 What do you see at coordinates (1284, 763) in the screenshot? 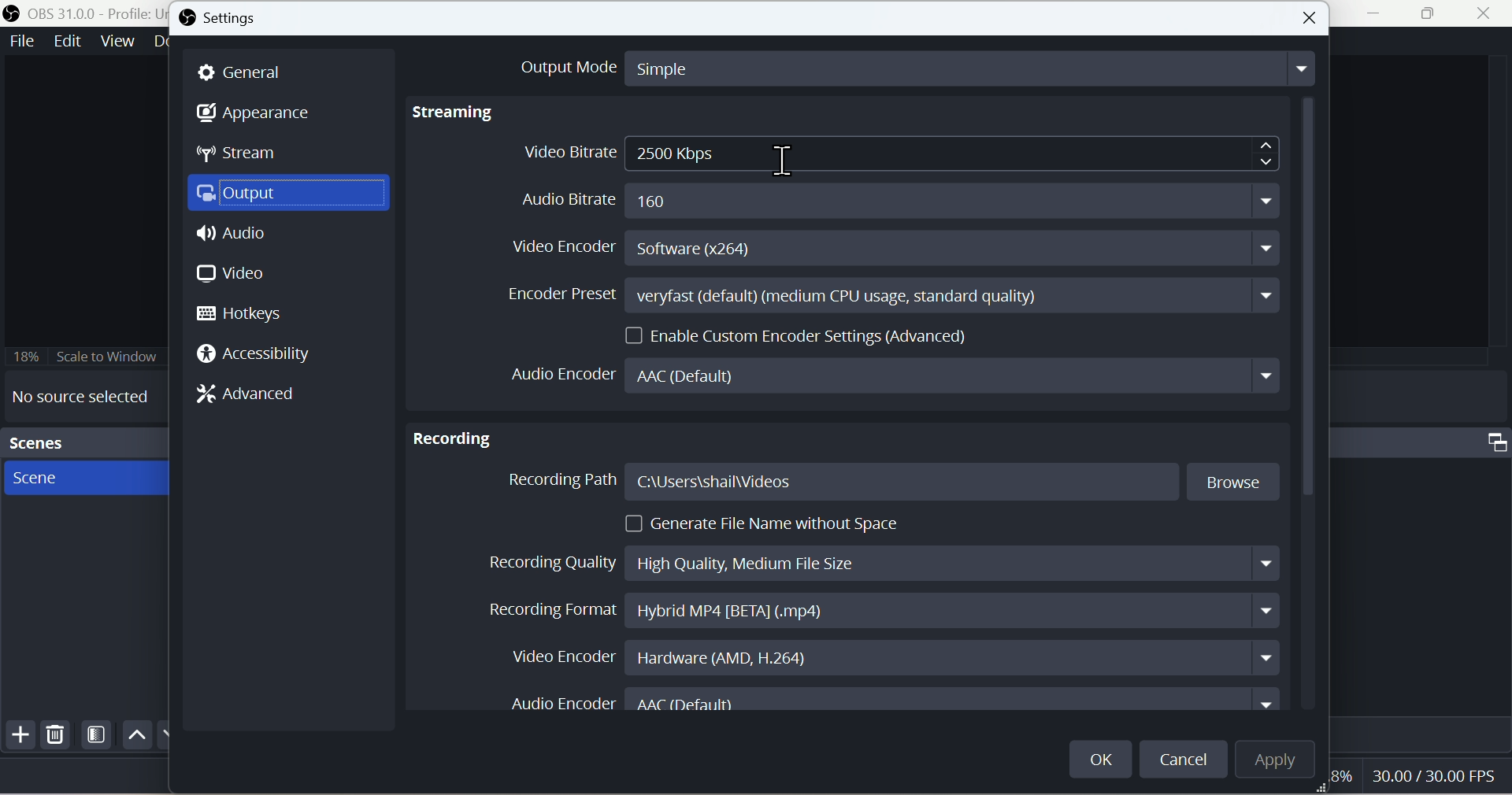
I see `Apply` at bounding box center [1284, 763].